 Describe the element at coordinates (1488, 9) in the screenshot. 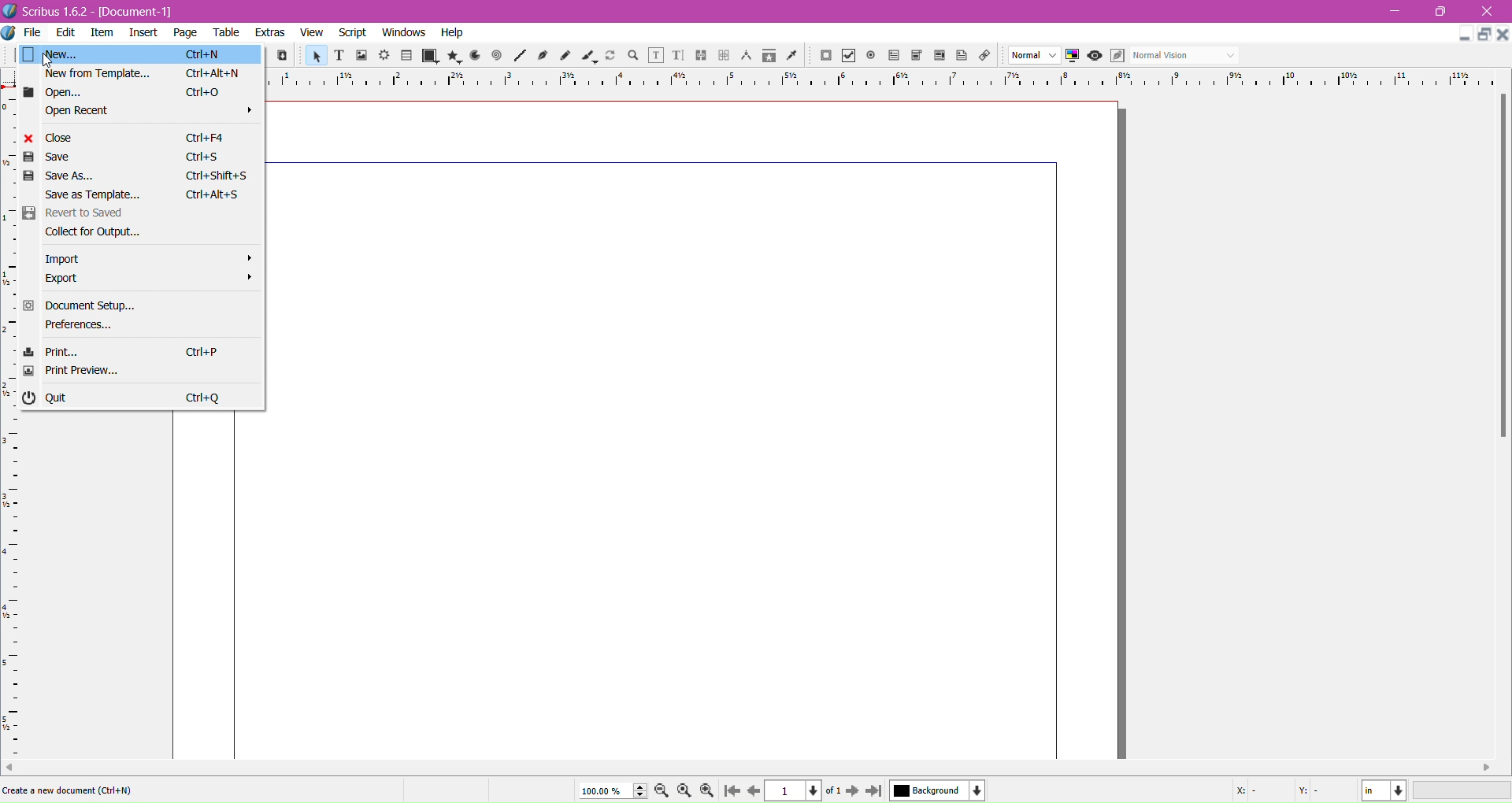

I see `close` at that location.